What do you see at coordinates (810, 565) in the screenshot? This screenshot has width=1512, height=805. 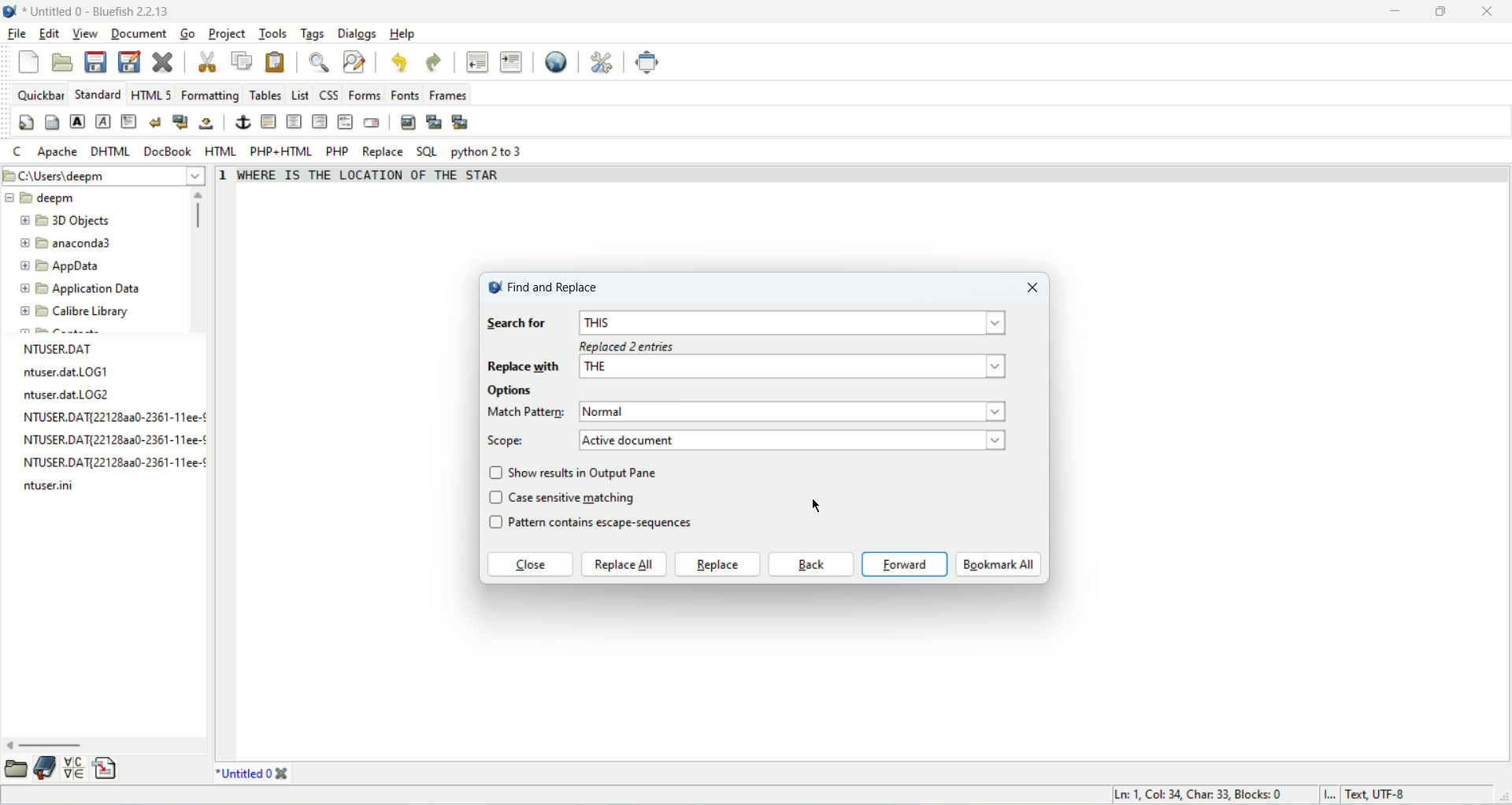 I see `back` at bounding box center [810, 565].